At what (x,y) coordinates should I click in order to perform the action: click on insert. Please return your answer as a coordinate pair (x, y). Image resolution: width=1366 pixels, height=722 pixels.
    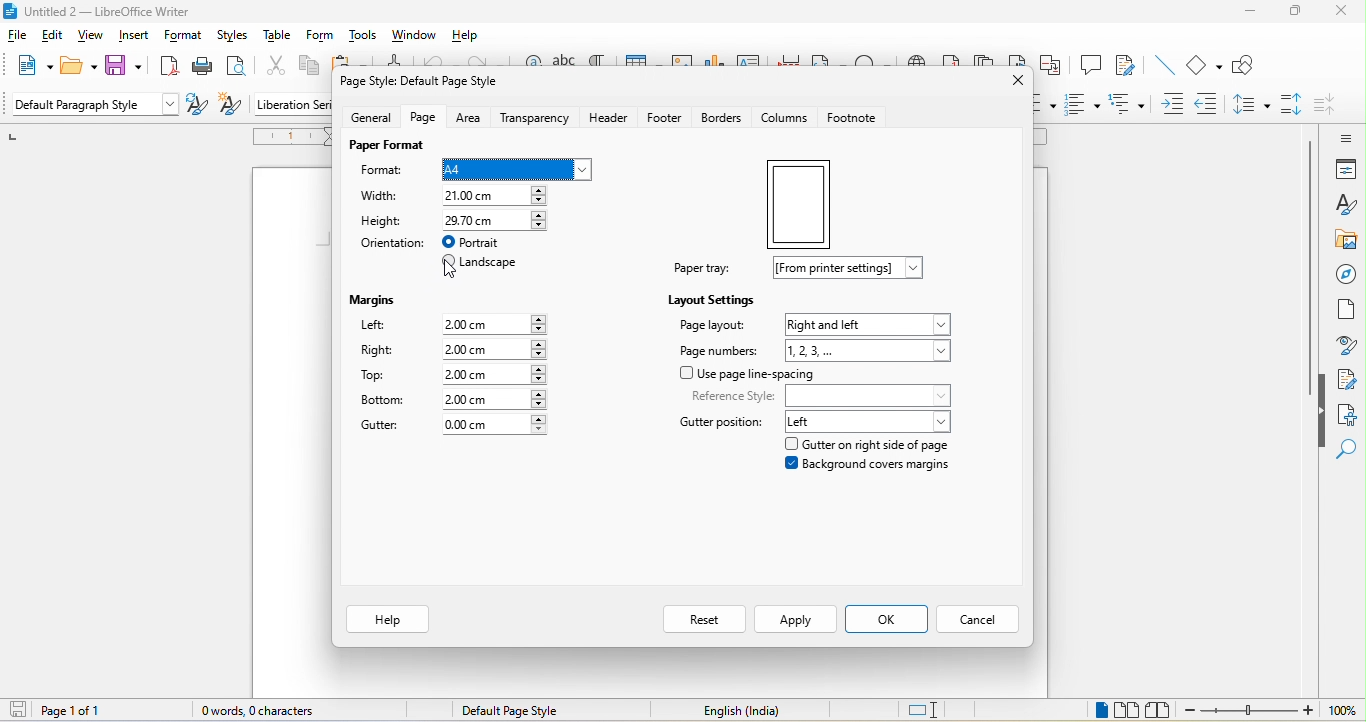
    Looking at the image, I should click on (132, 37).